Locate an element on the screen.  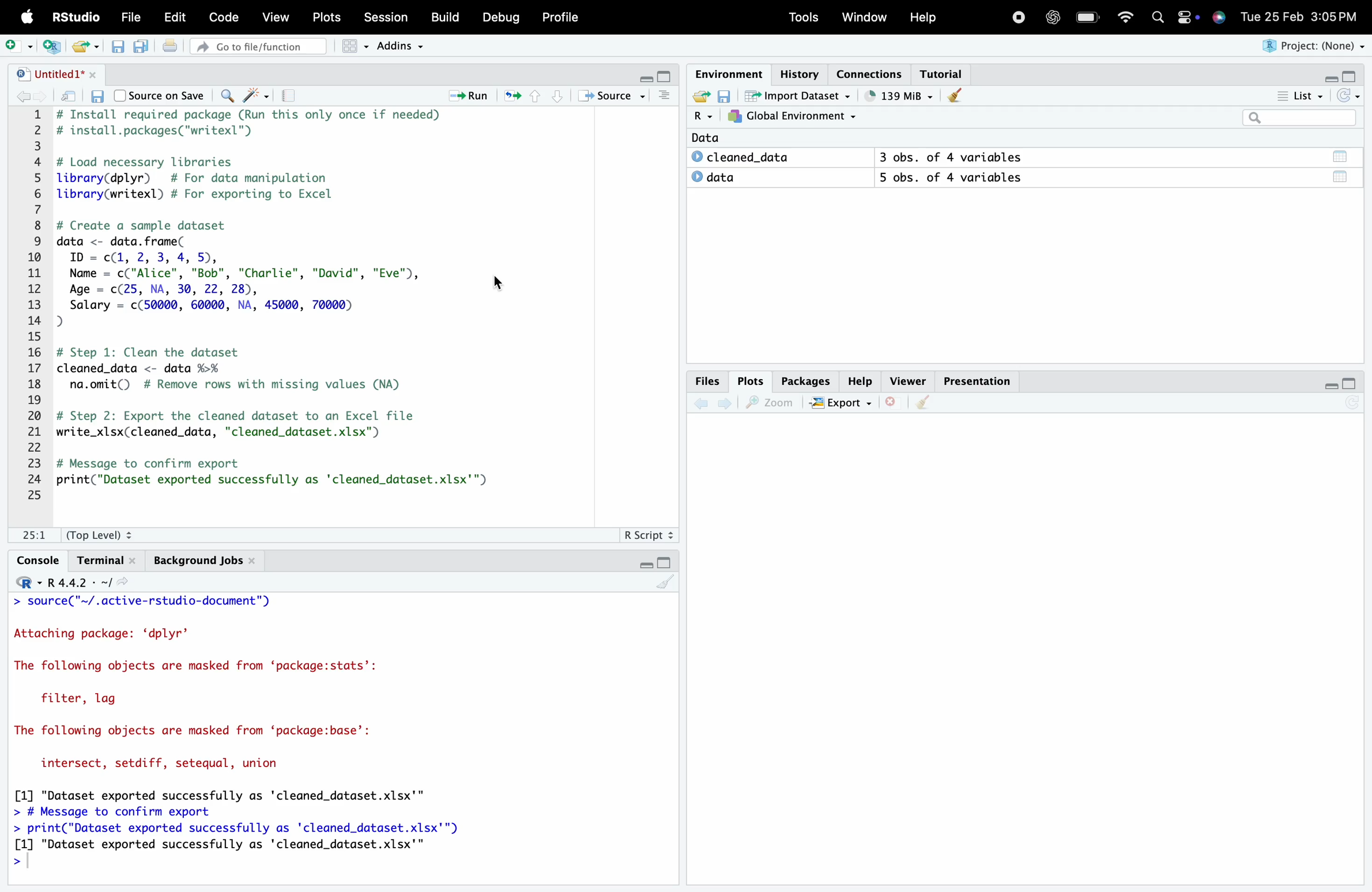
Search bar is located at coordinates (1307, 119).